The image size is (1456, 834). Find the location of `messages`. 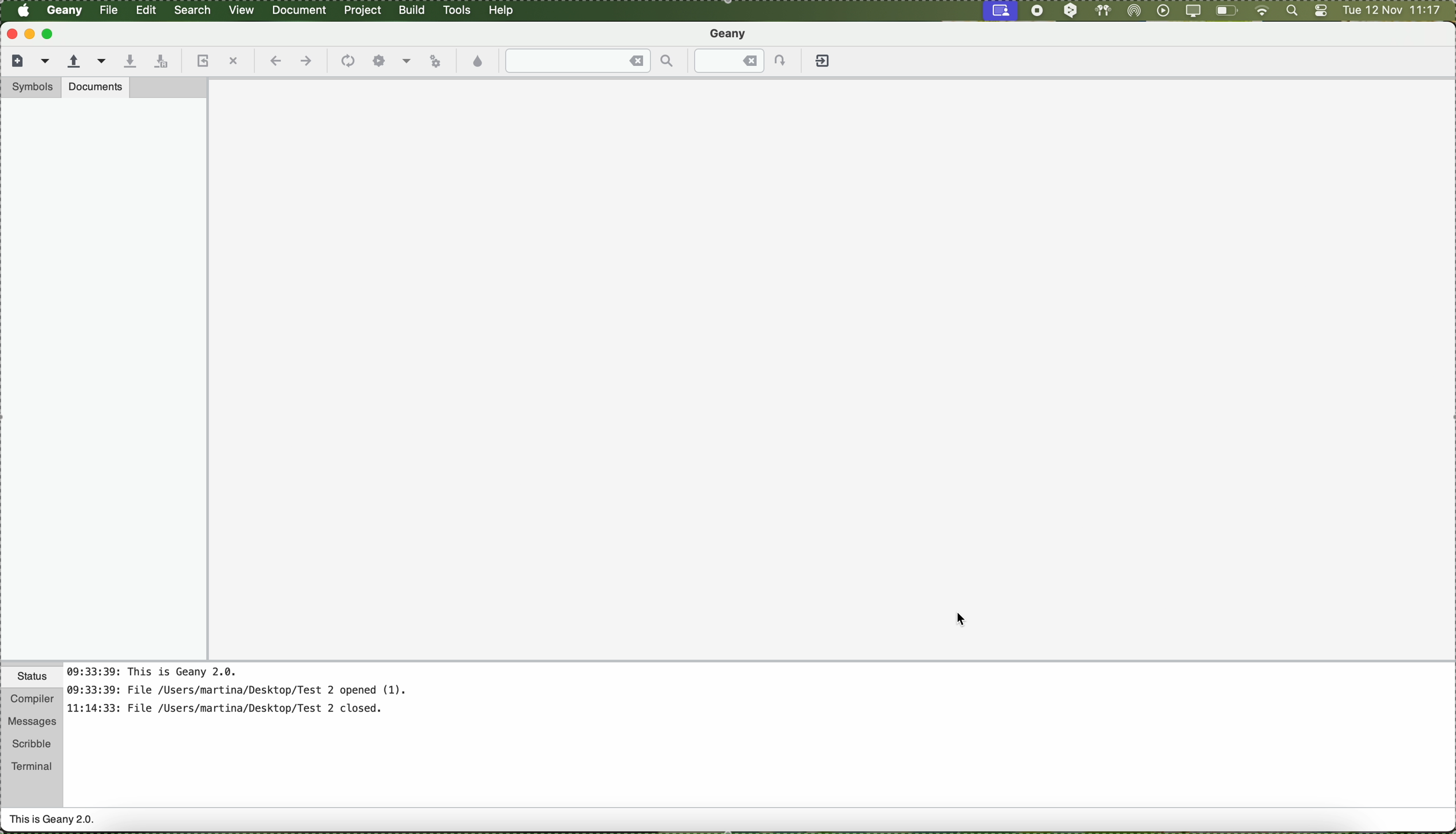

messages is located at coordinates (31, 722).